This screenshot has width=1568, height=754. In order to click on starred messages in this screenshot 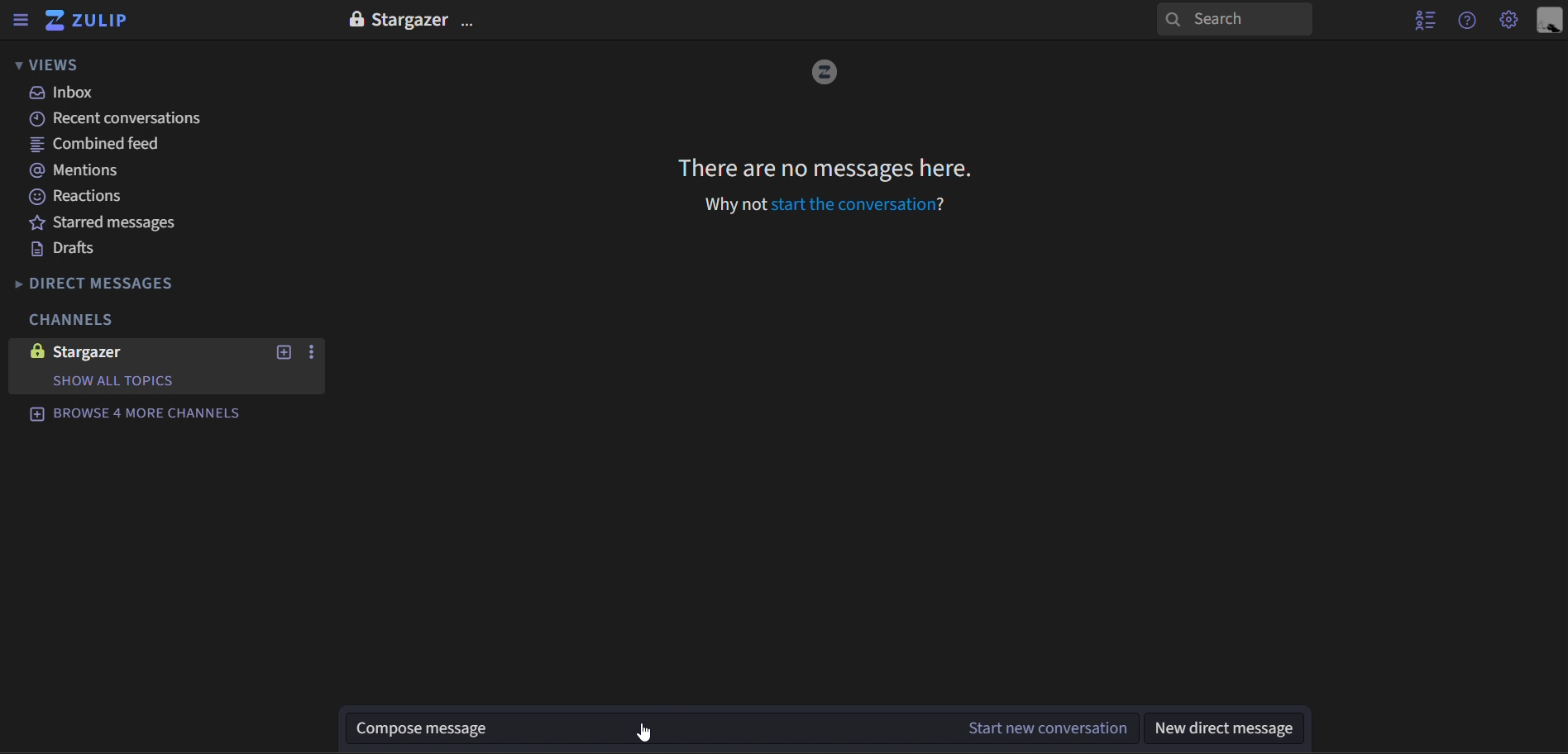, I will do `click(127, 224)`.